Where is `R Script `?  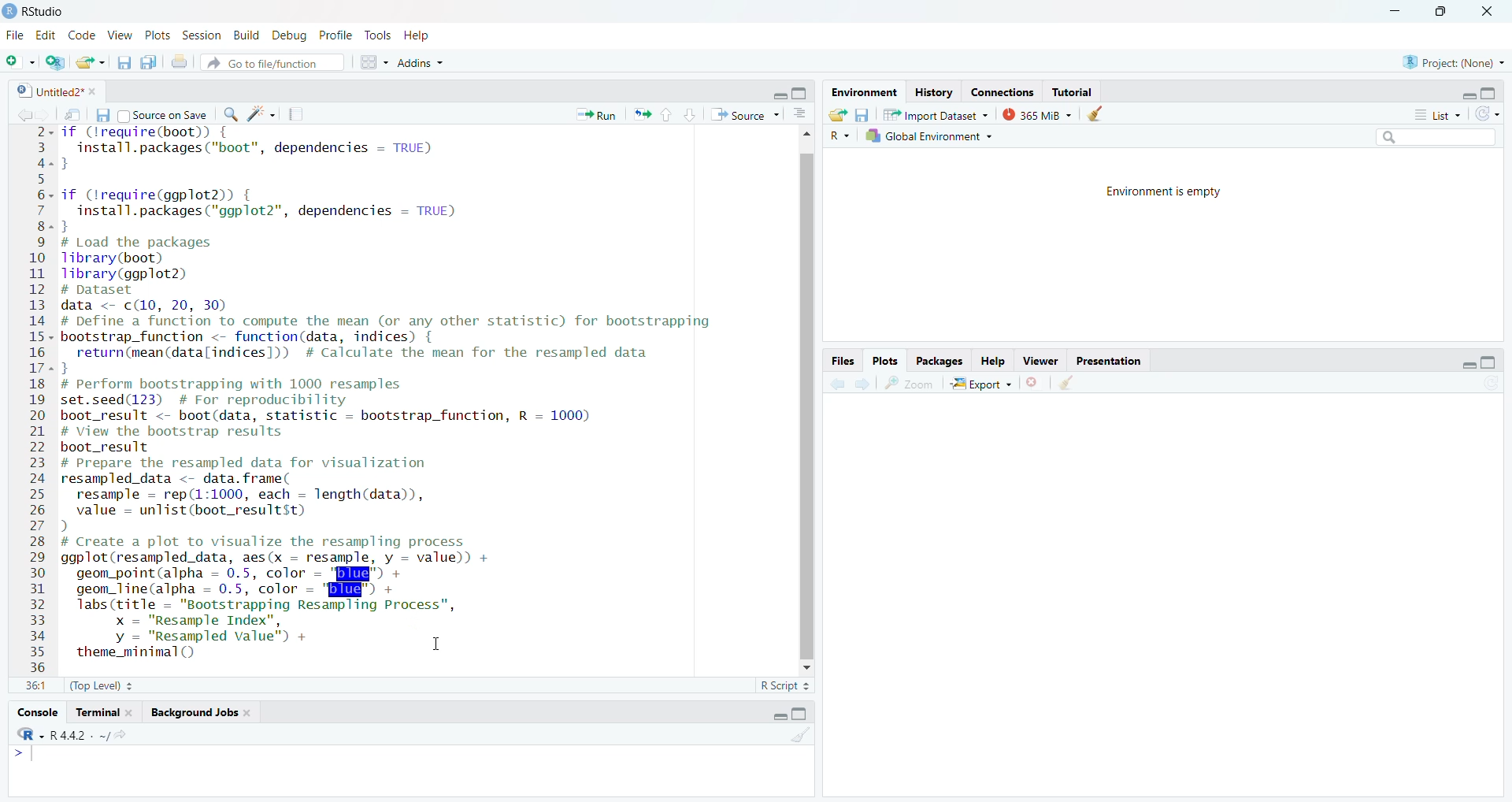
R Script  is located at coordinates (781, 686).